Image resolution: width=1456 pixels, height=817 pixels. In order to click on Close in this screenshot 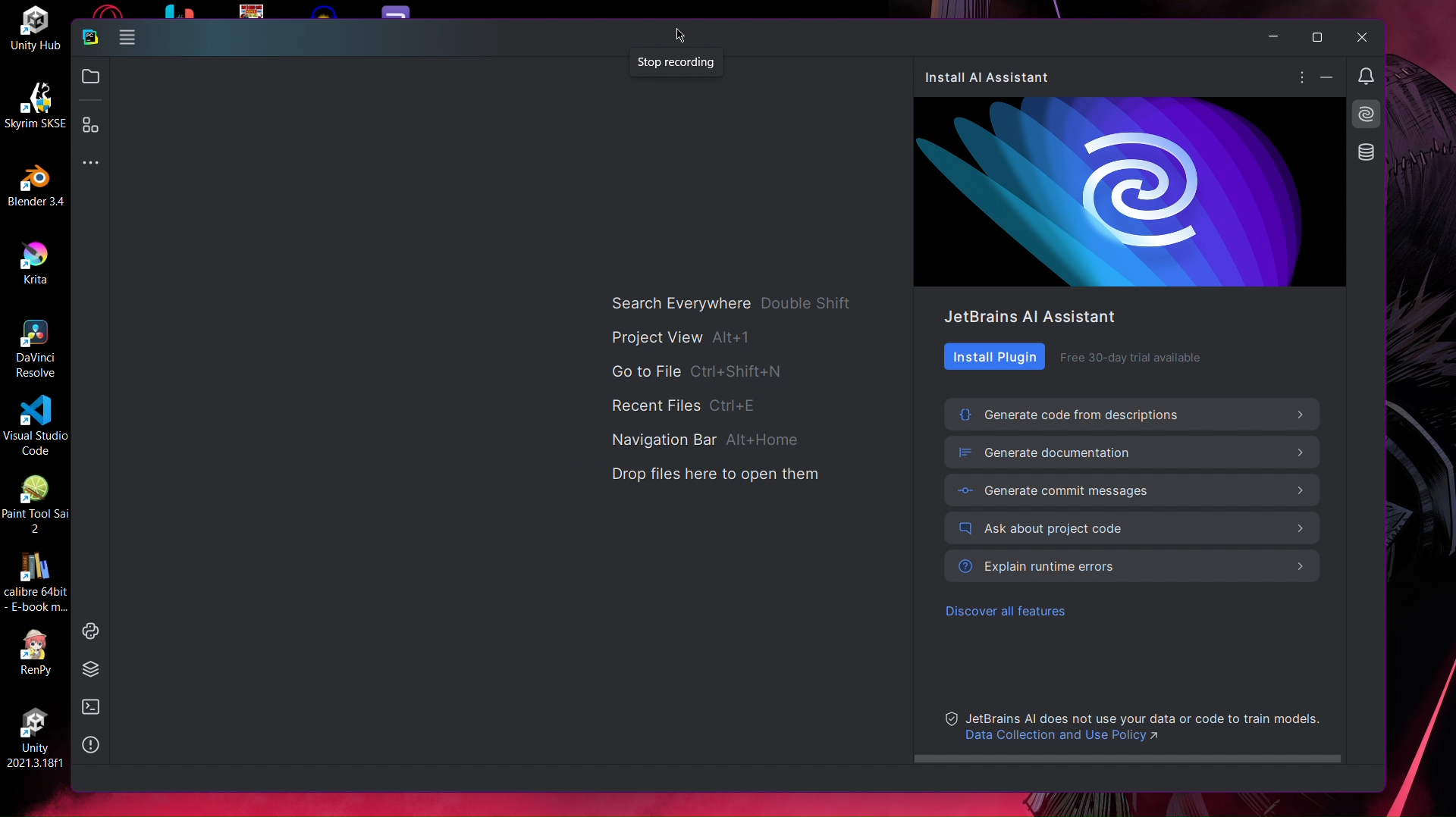, I will do `click(1361, 37)`.